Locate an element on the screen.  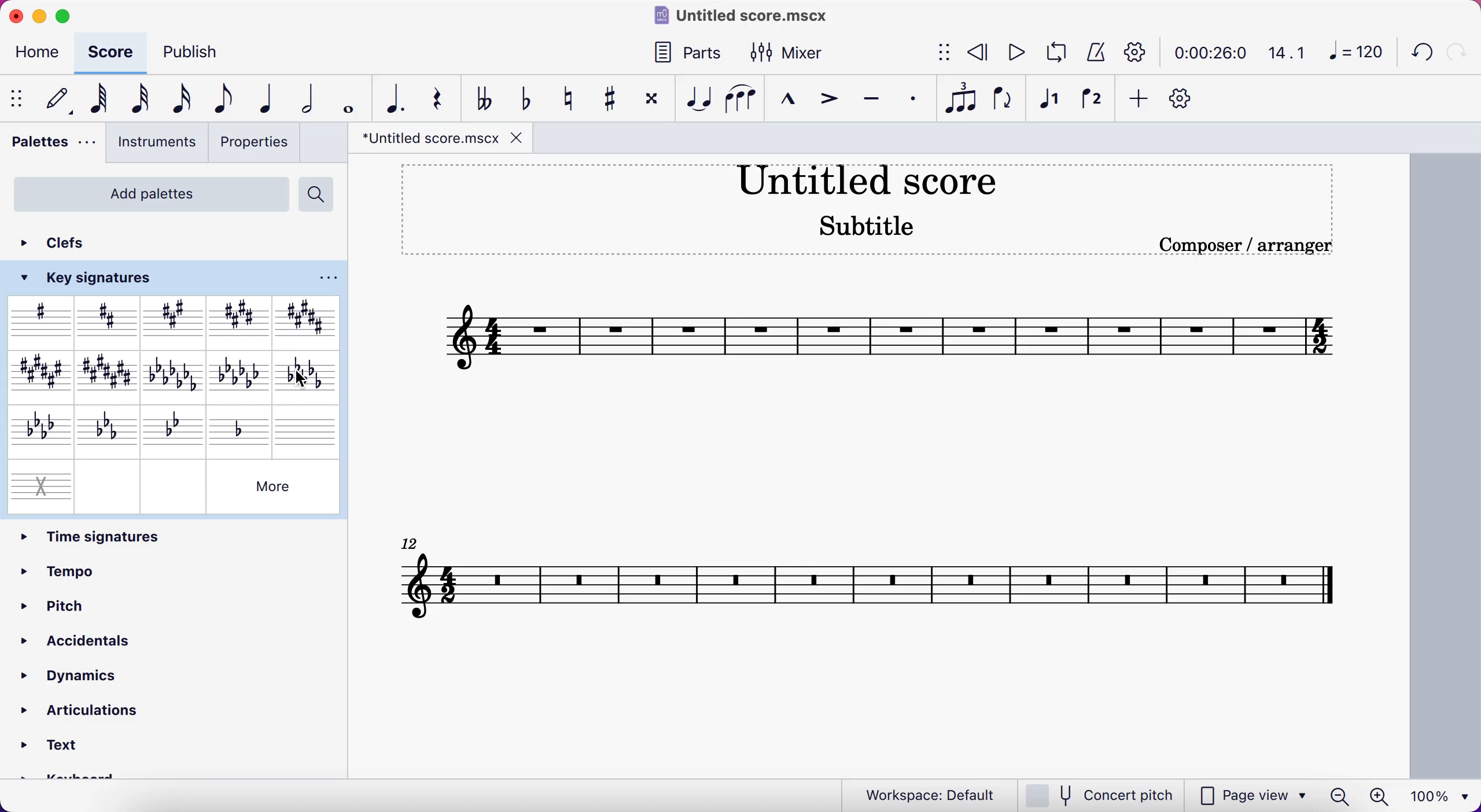
half note is located at coordinates (311, 96).